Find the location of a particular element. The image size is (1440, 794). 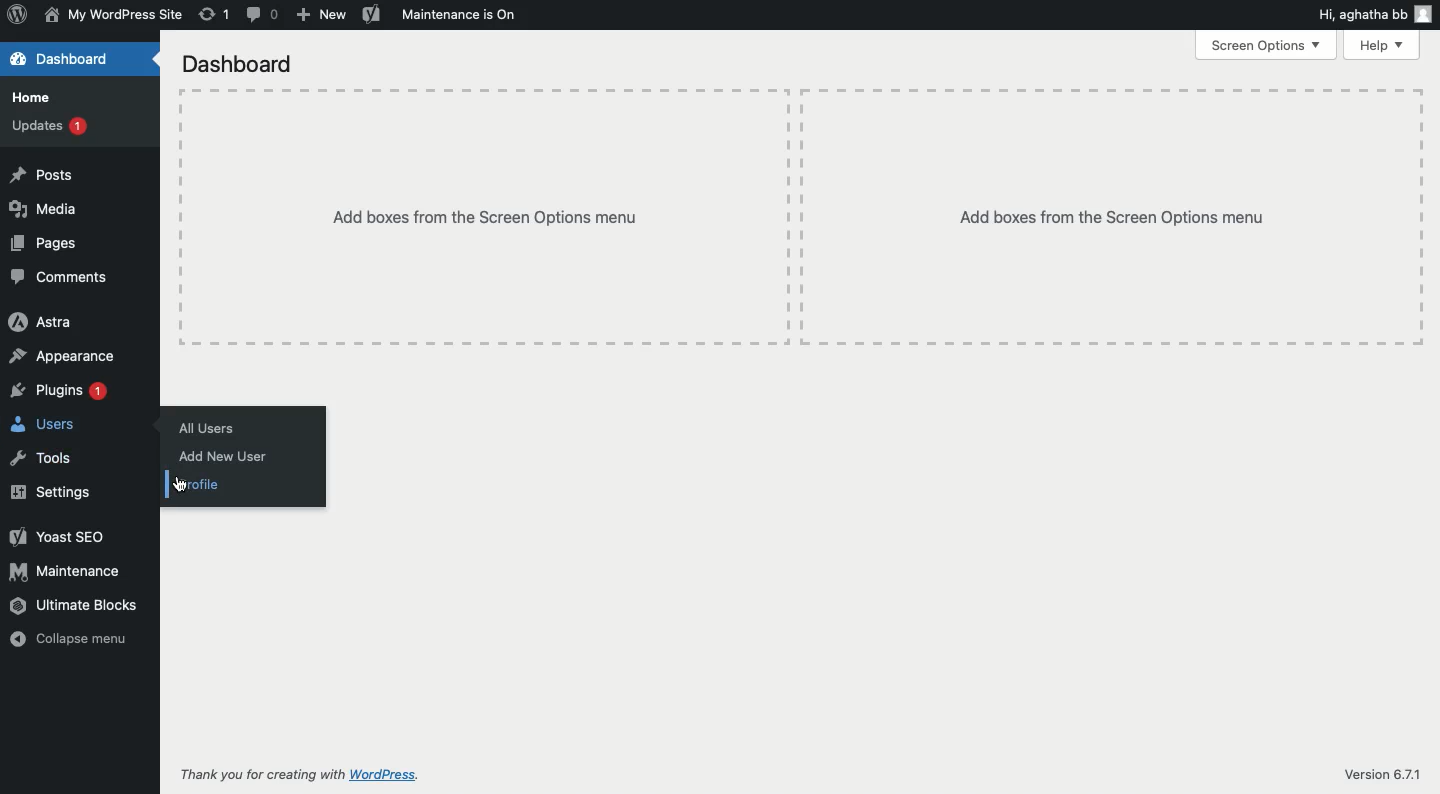

Site name is located at coordinates (112, 17).